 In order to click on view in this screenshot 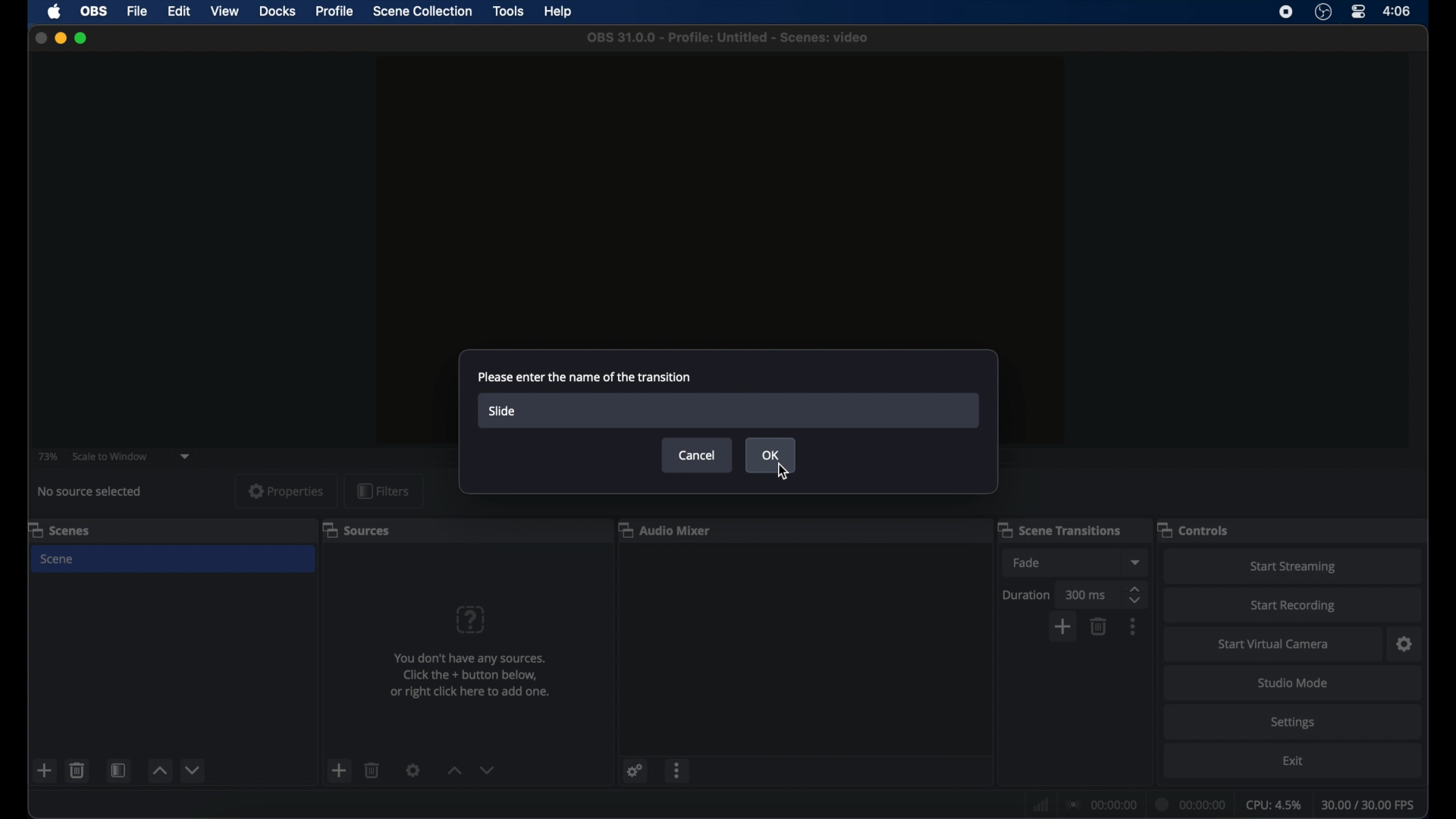, I will do `click(224, 12)`.